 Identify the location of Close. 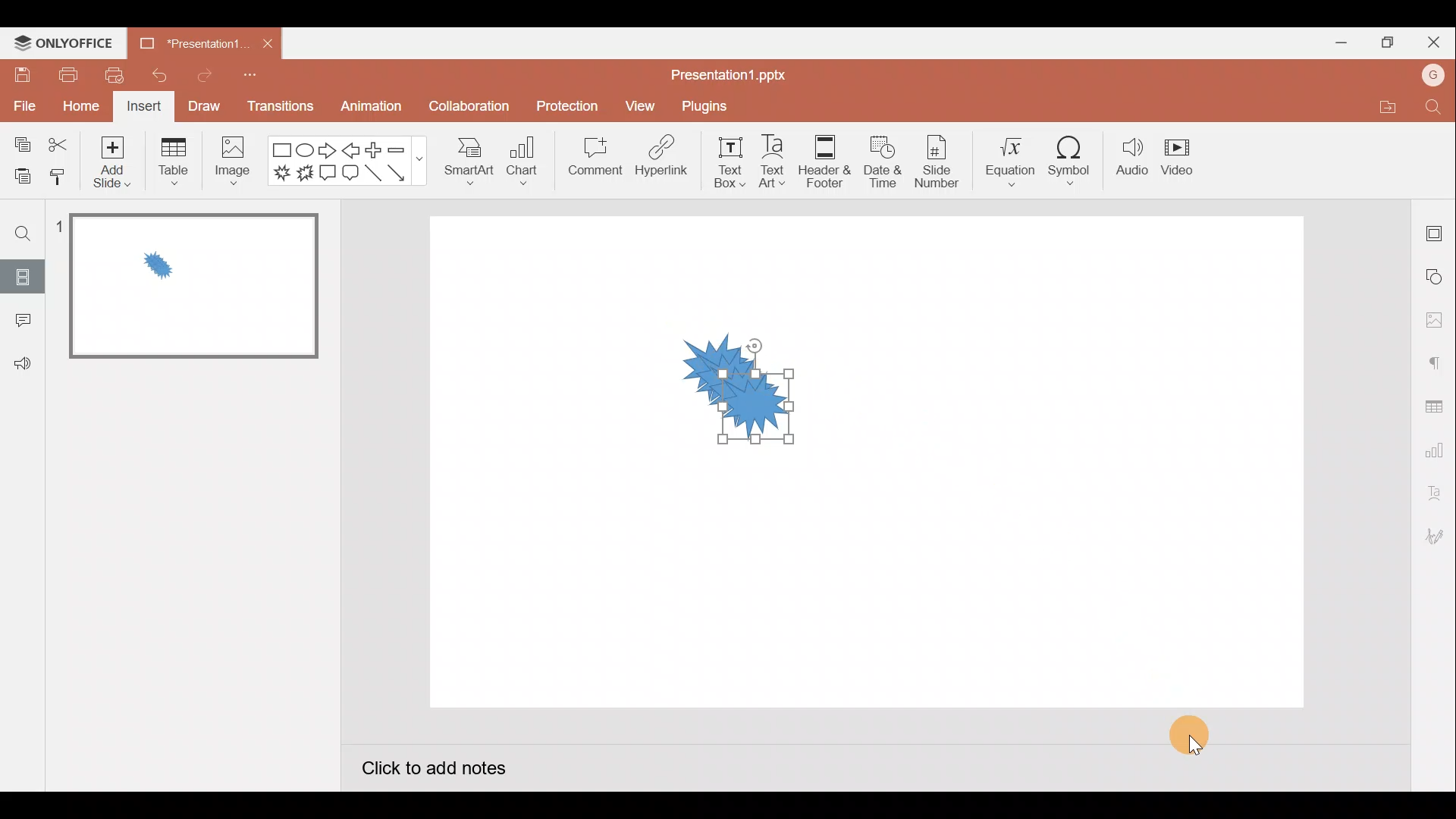
(1433, 37).